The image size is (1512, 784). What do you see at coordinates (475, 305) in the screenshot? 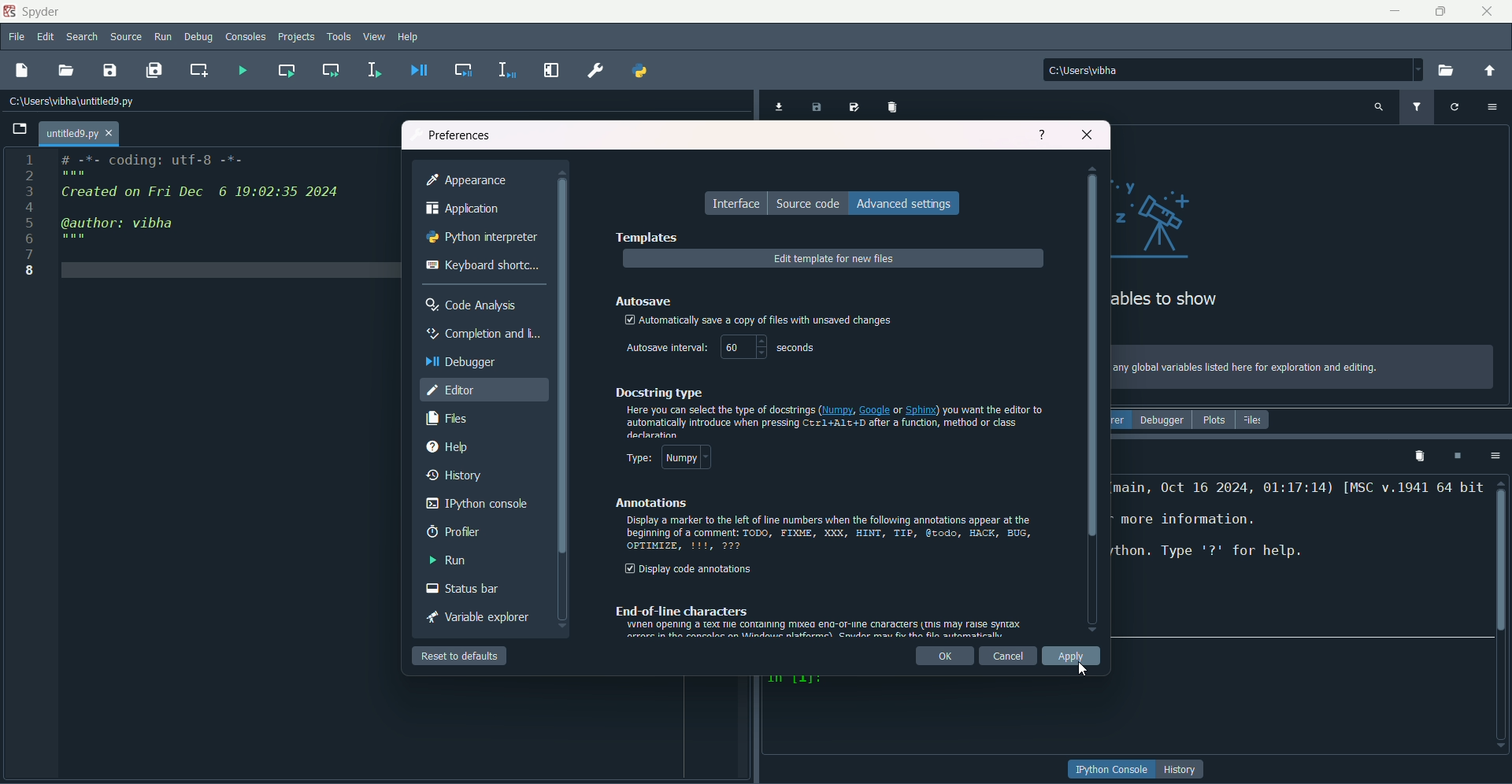
I see `code analysis` at bounding box center [475, 305].